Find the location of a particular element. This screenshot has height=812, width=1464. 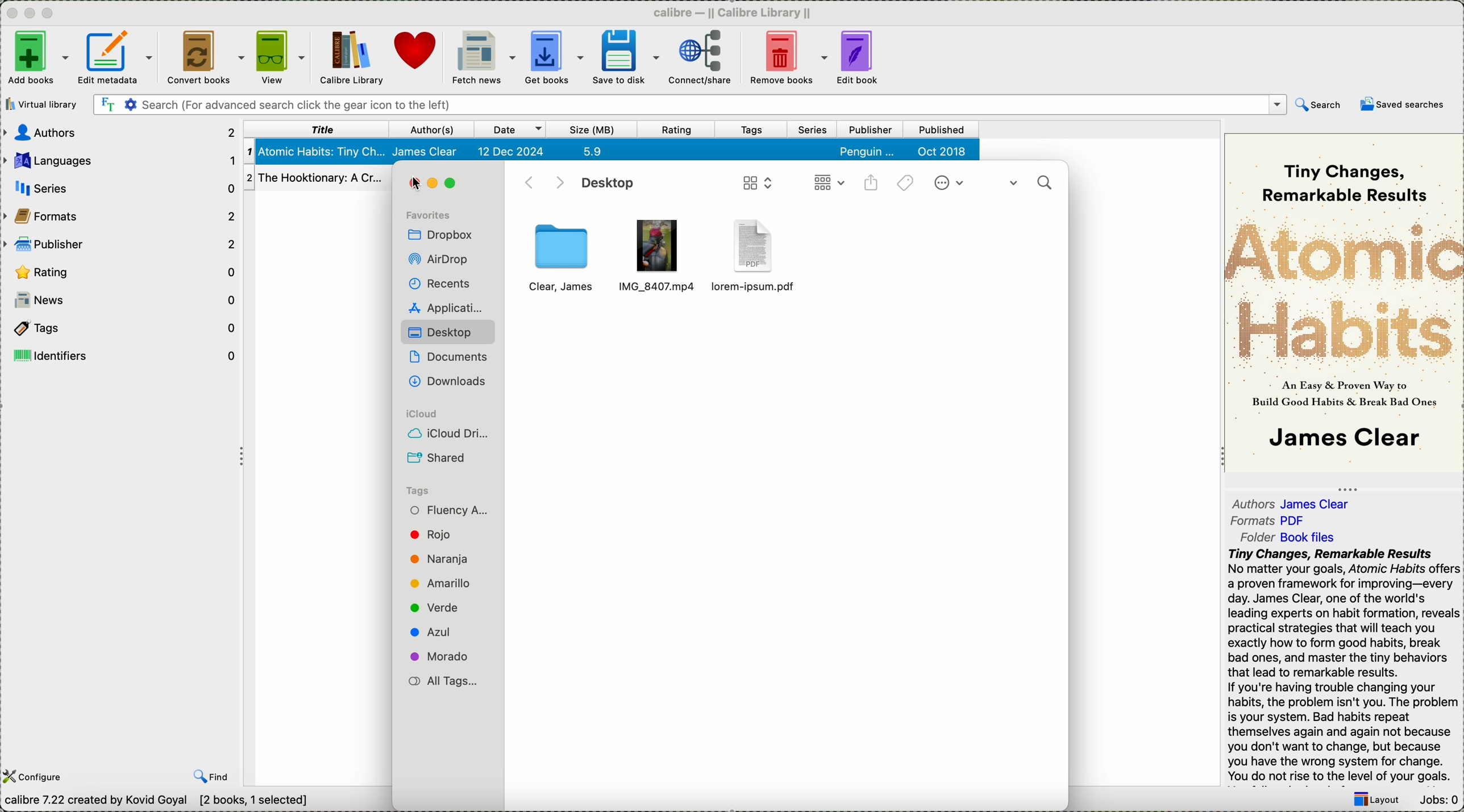

applicaion is located at coordinates (438, 306).